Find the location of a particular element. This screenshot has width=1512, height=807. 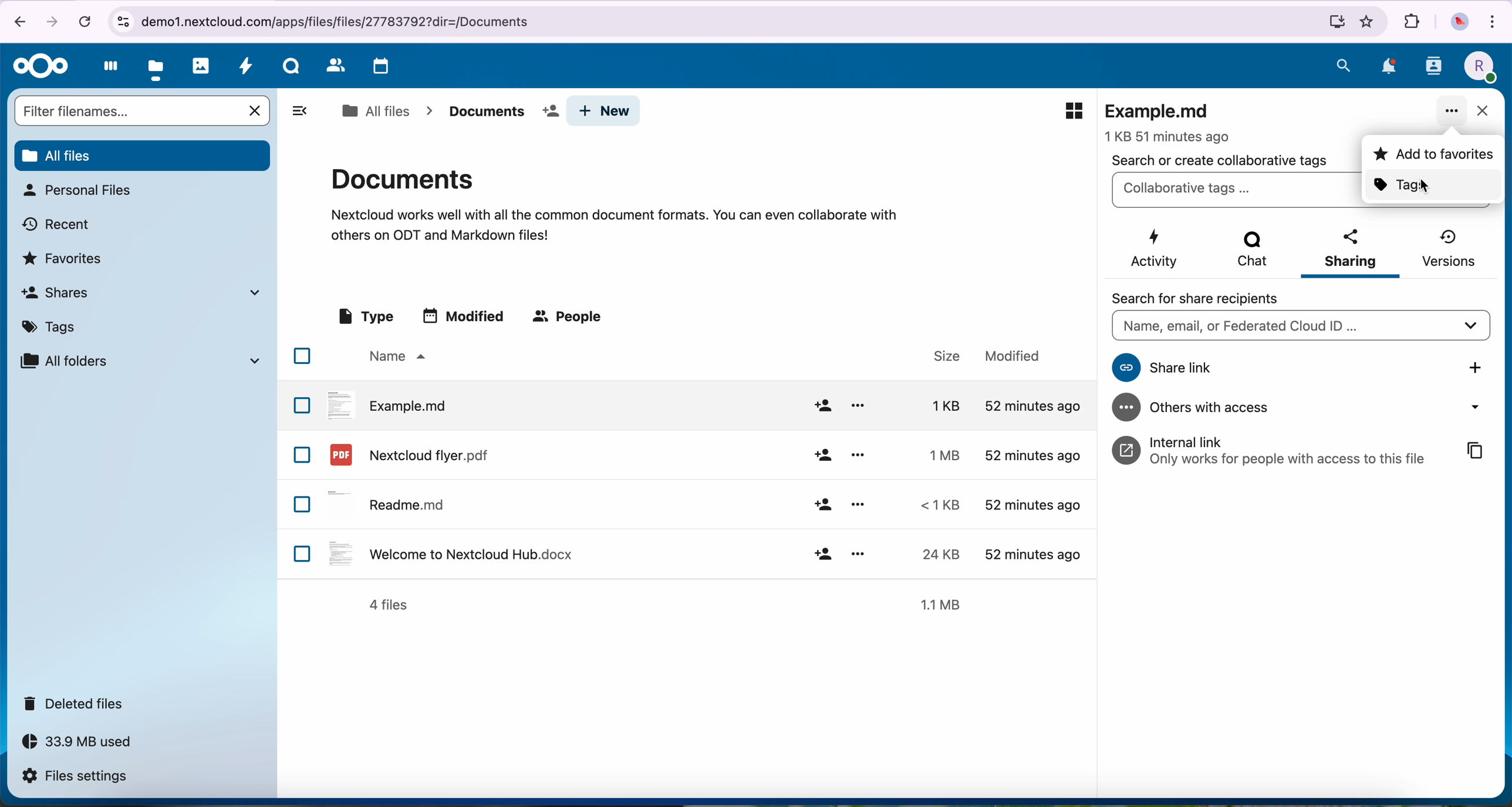

size is located at coordinates (937, 505).